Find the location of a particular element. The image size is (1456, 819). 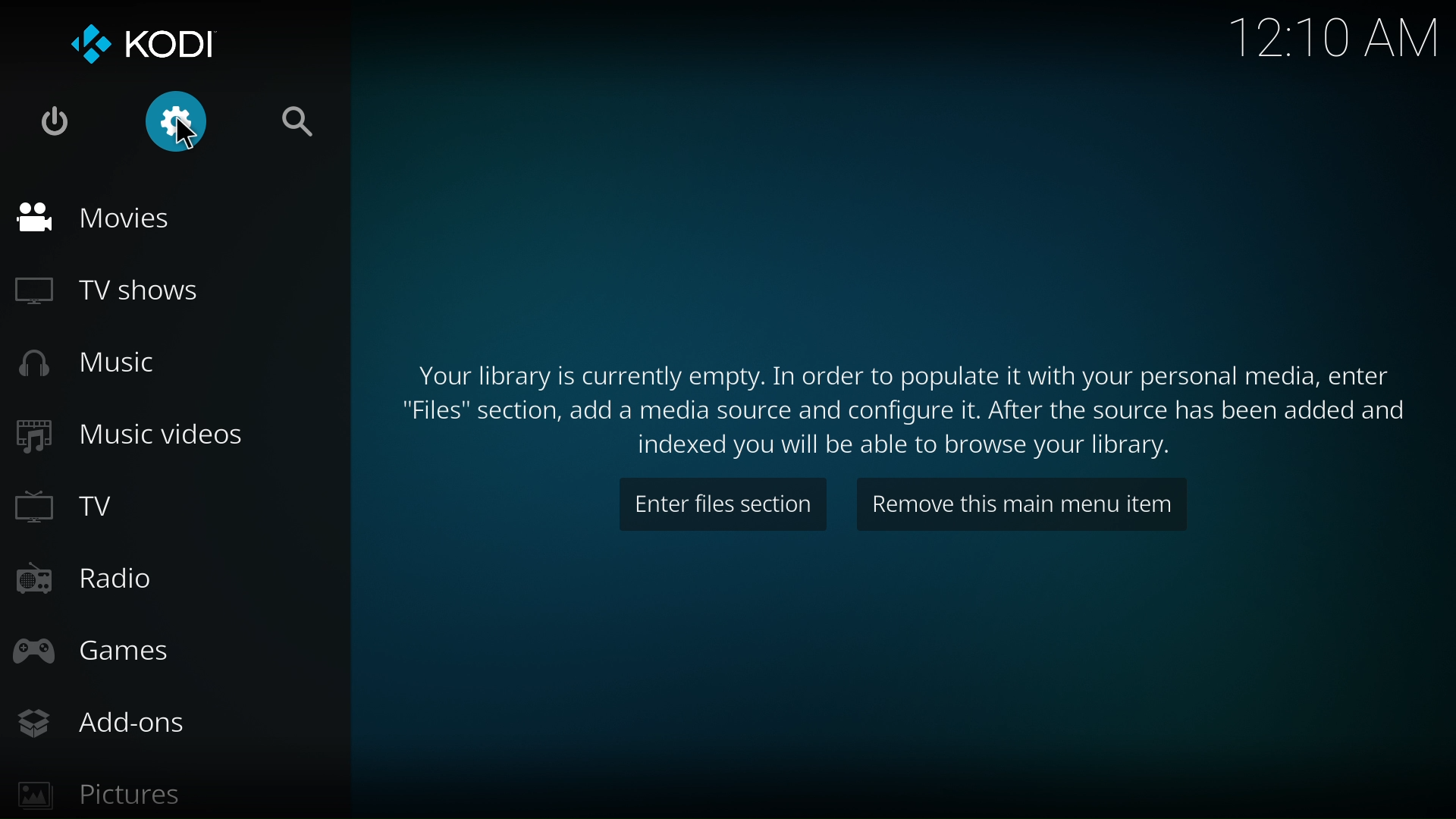

music is located at coordinates (86, 365).